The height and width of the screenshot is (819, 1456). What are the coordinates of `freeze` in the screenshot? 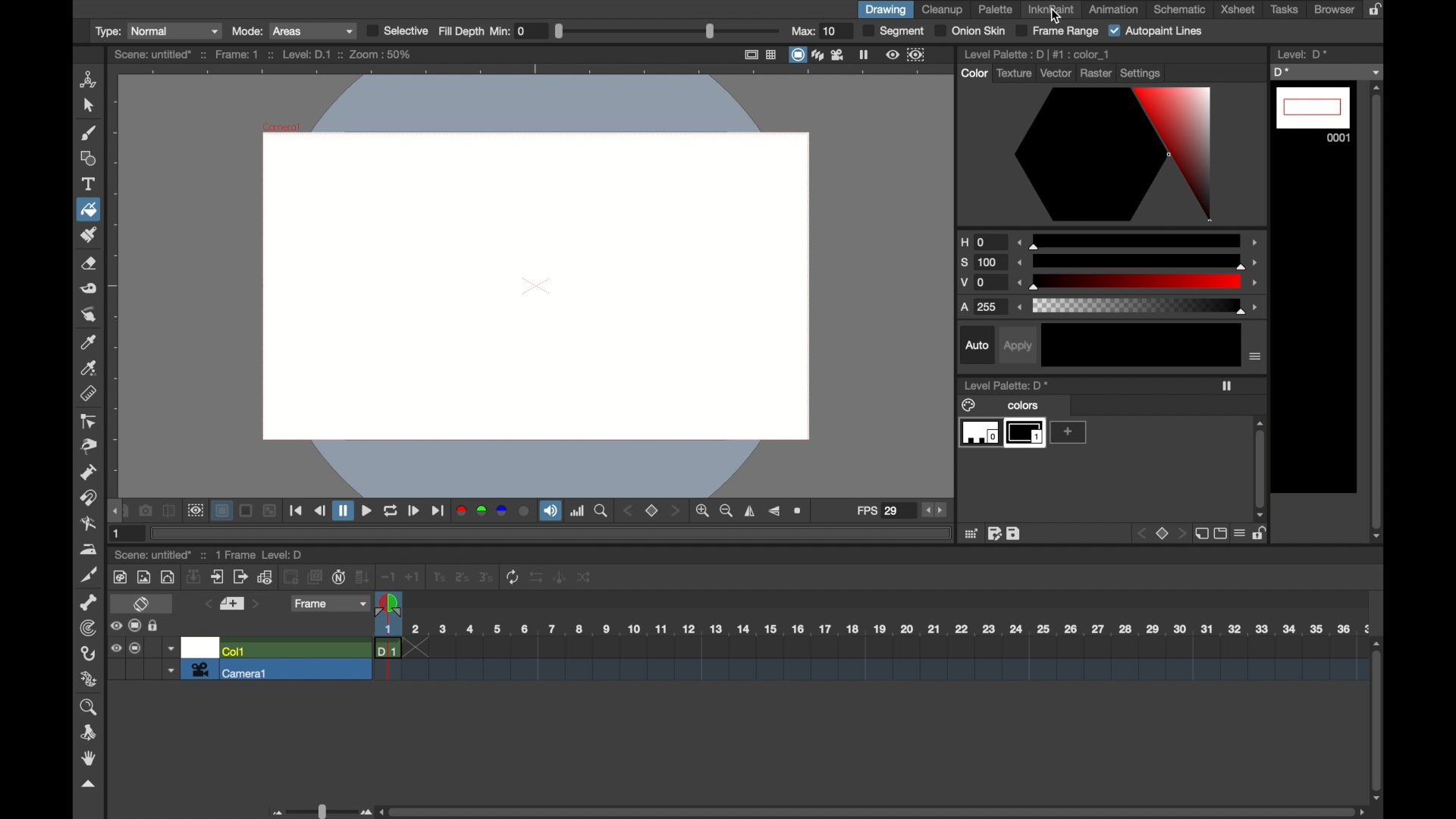 It's located at (864, 55).